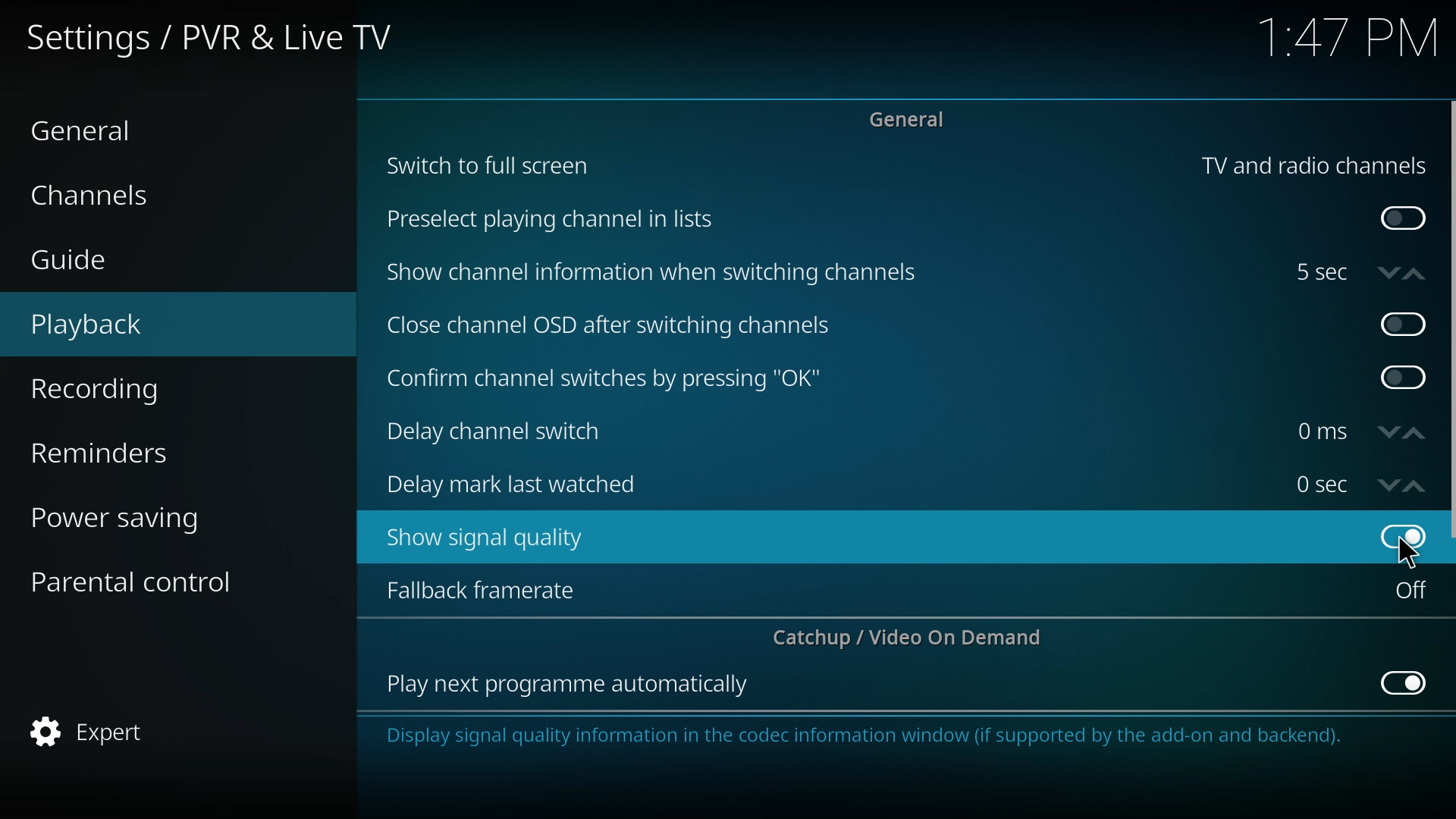 Image resolution: width=1456 pixels, height=819 pixels. Describe the element at coordinates (492, 588) in the screenshot. I see `fall back framerate` at that location.